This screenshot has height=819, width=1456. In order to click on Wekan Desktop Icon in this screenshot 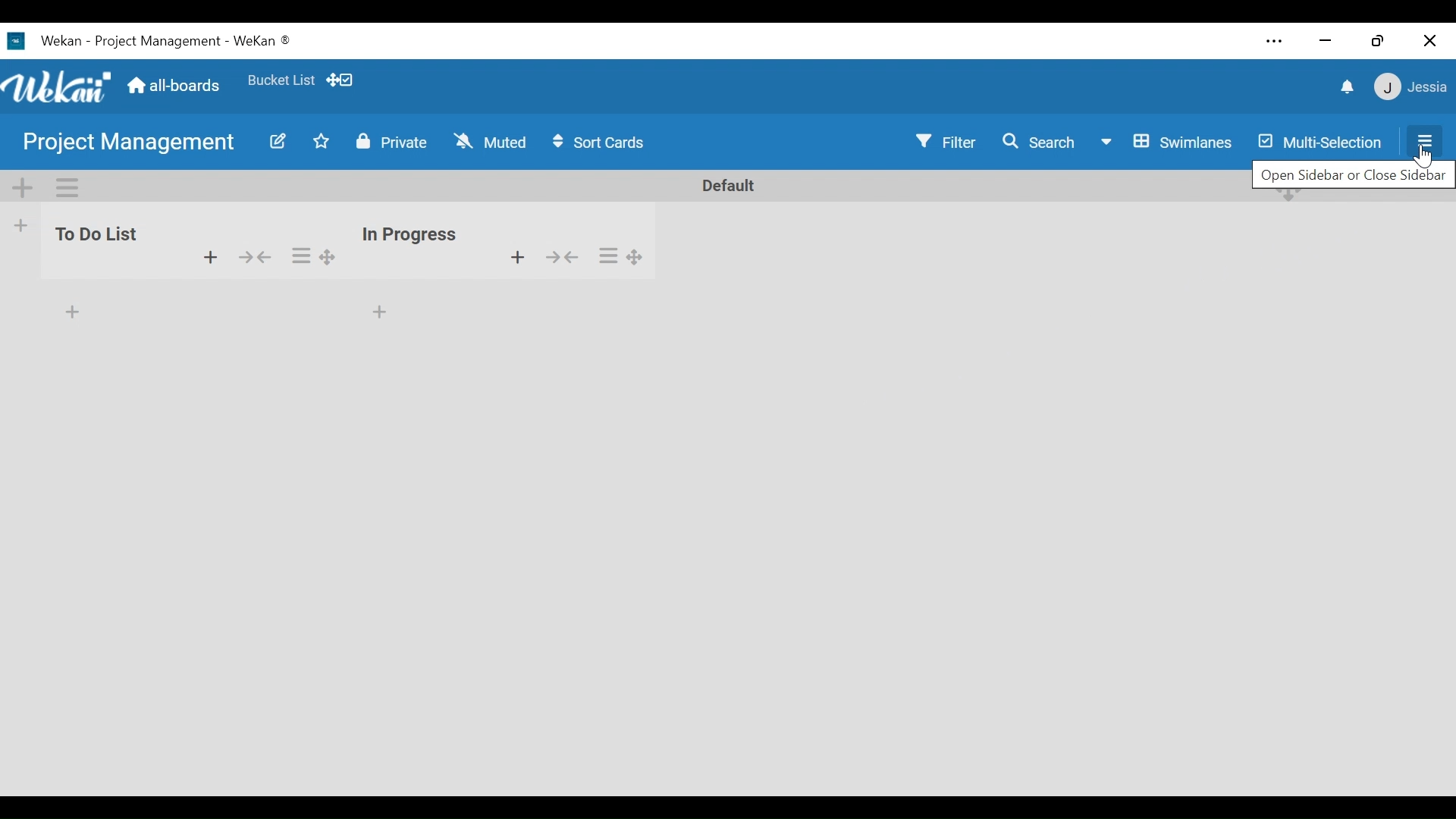, I will do `click(149, 42)`.